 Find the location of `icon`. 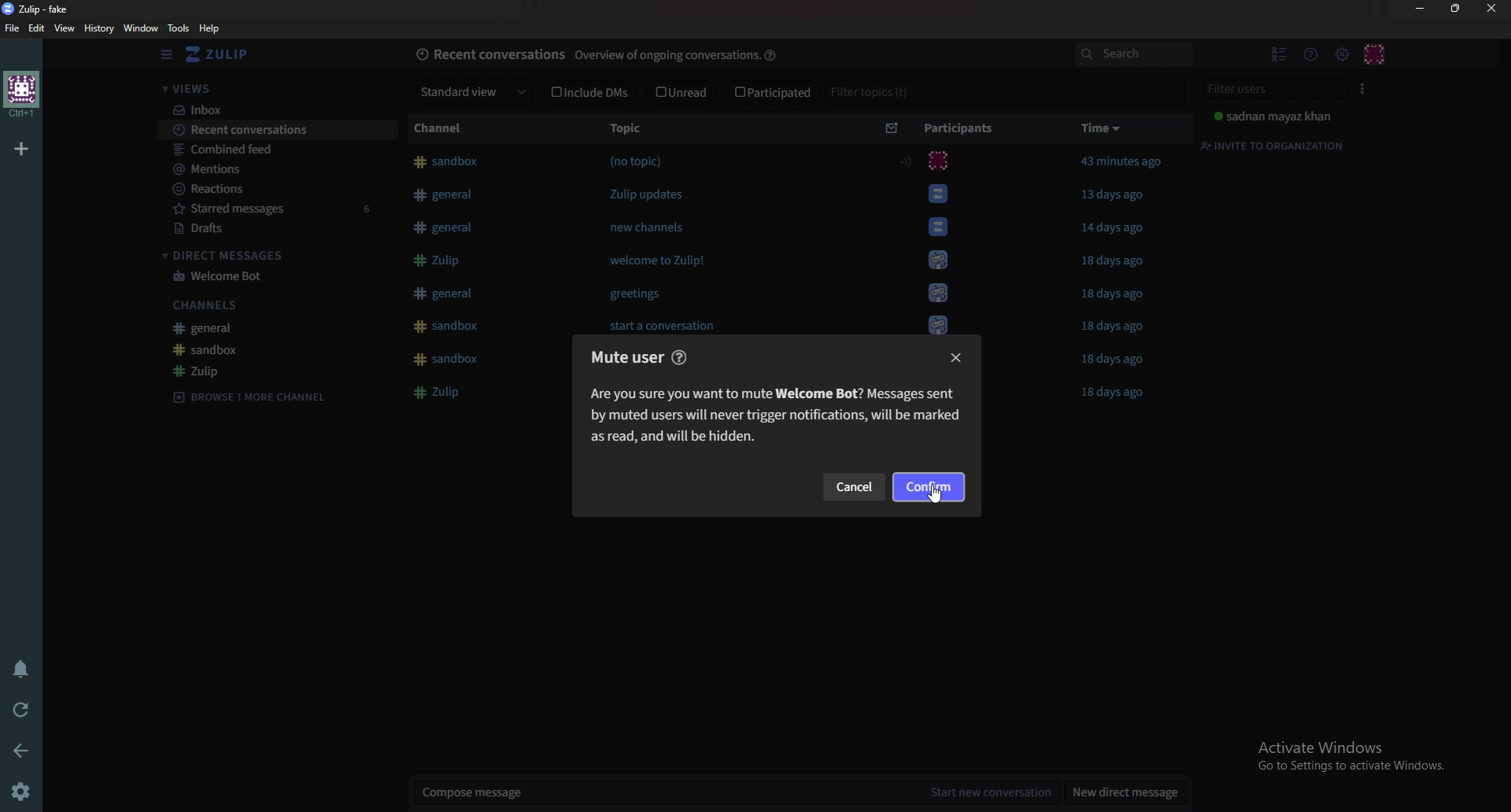

icon is located at coordinates (943, 260).